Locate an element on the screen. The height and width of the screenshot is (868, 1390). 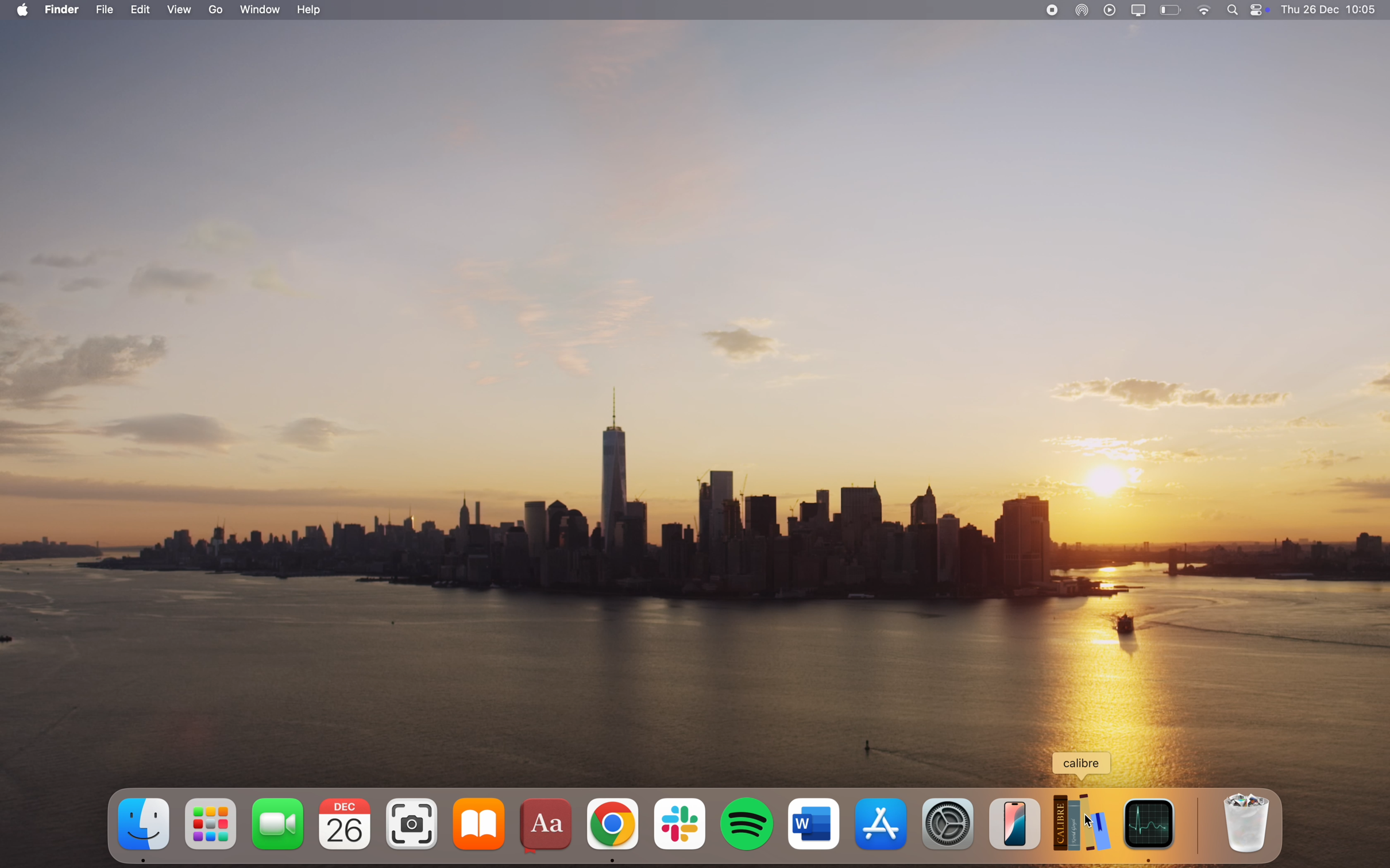
edit is located at coordinates (140, 9).